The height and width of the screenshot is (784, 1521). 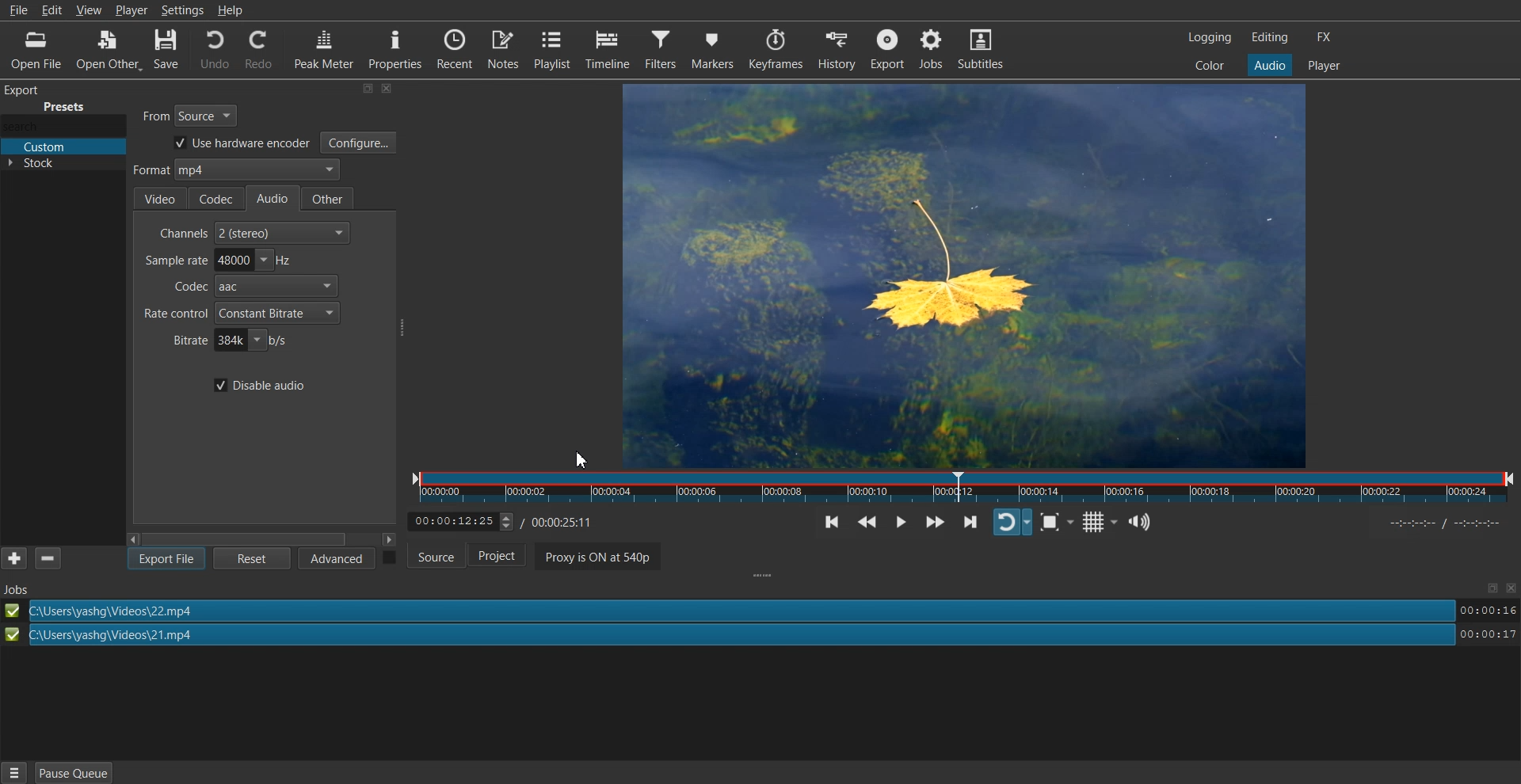 I want to click on Drag handle, so click(x=403, y=435).